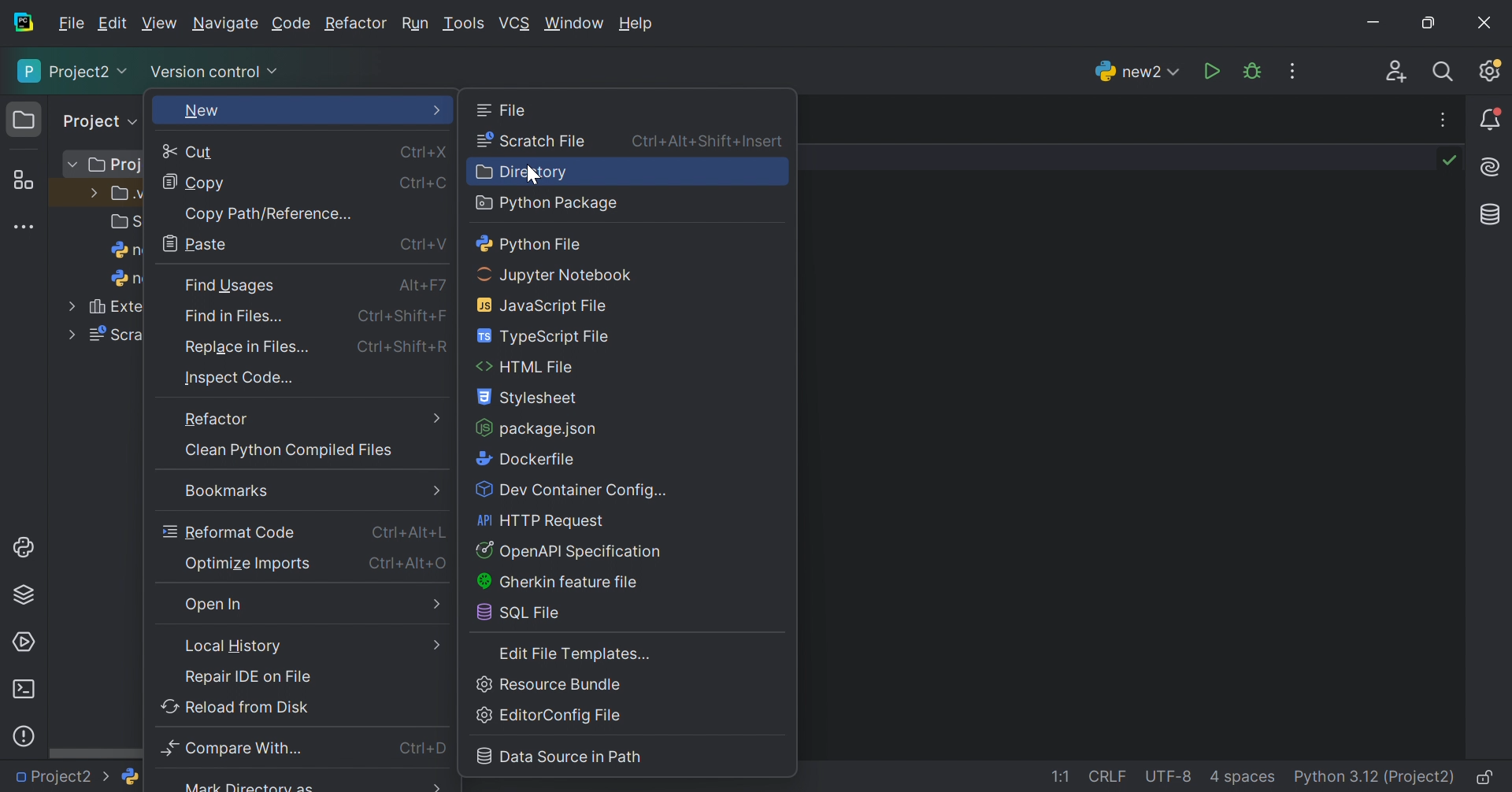  What do you see at coordinates (71, 24) in the screenshot?
I see `File` at bounding box center [71, 24].